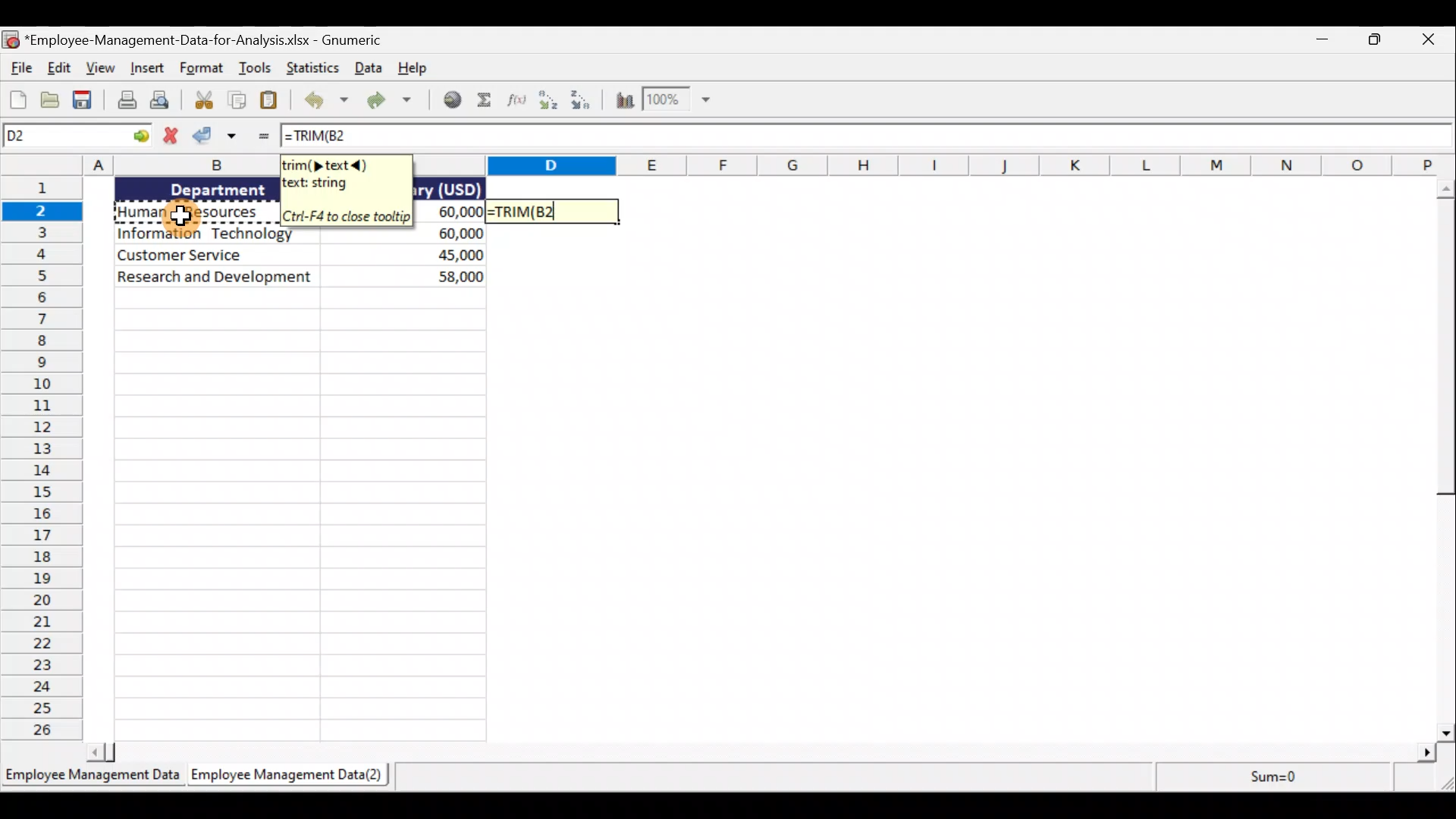  I want to click on Rows, so click(41, 459).